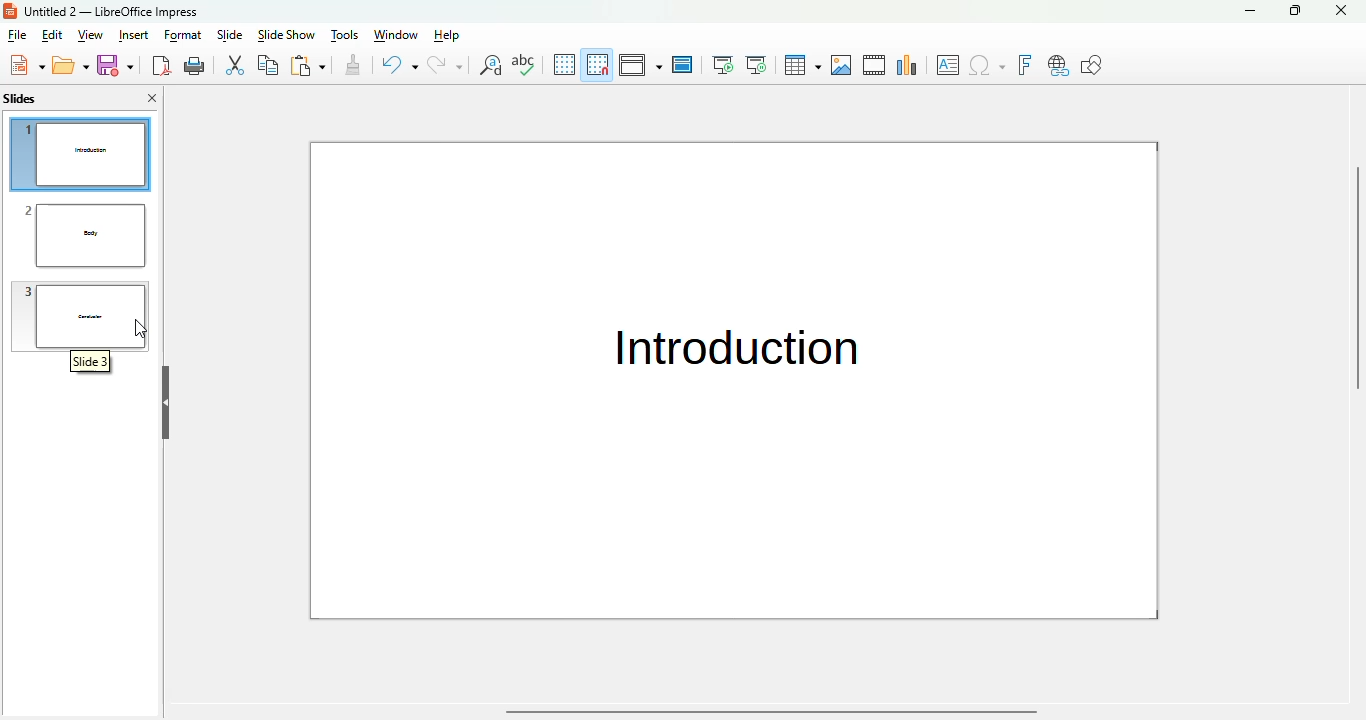  Describe the element at coordinates (286, 35) in the screenshot. I see `slide show` at that location.